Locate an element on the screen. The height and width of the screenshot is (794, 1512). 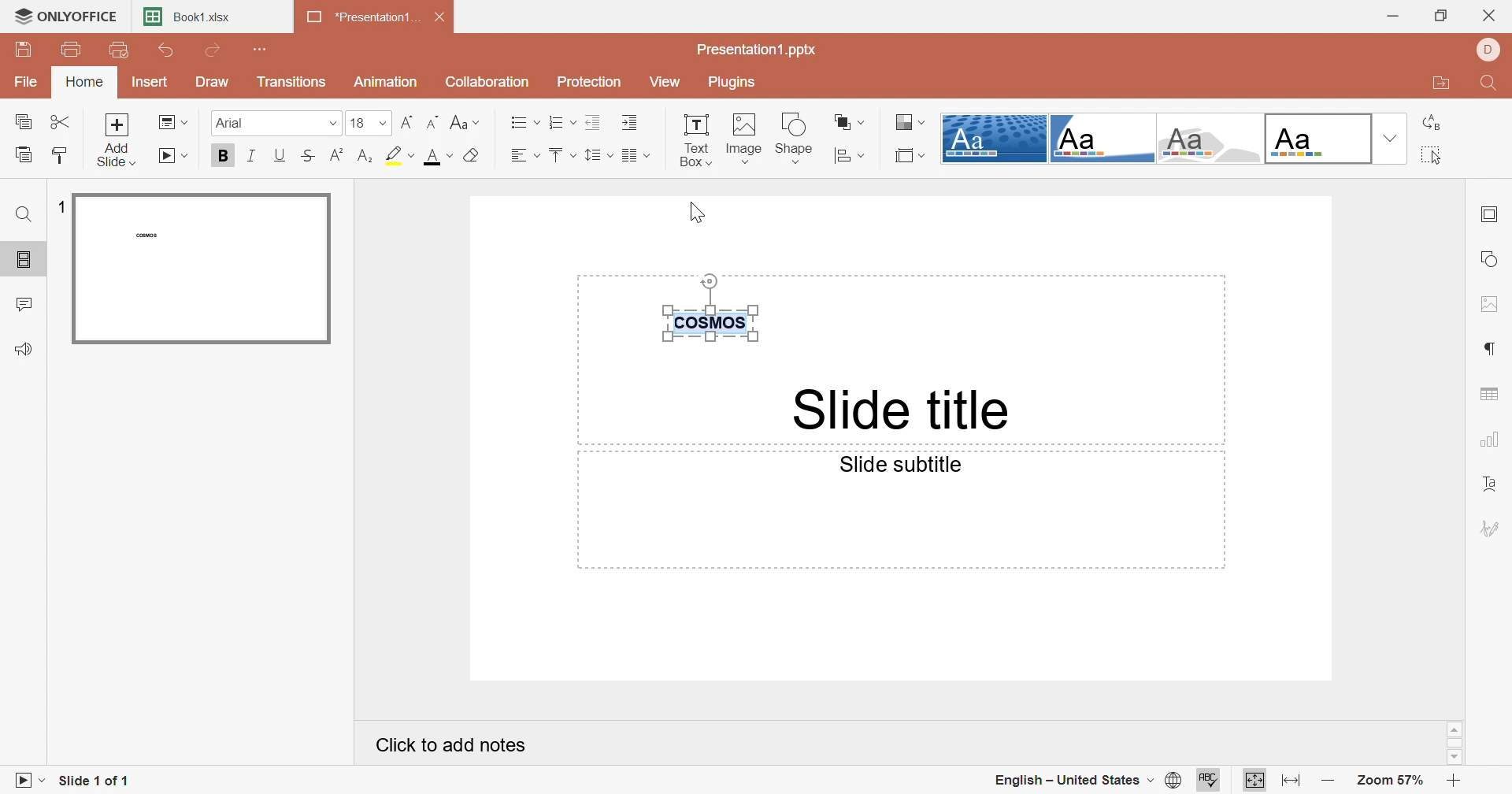
Side title is located at coordinates (893, 406).